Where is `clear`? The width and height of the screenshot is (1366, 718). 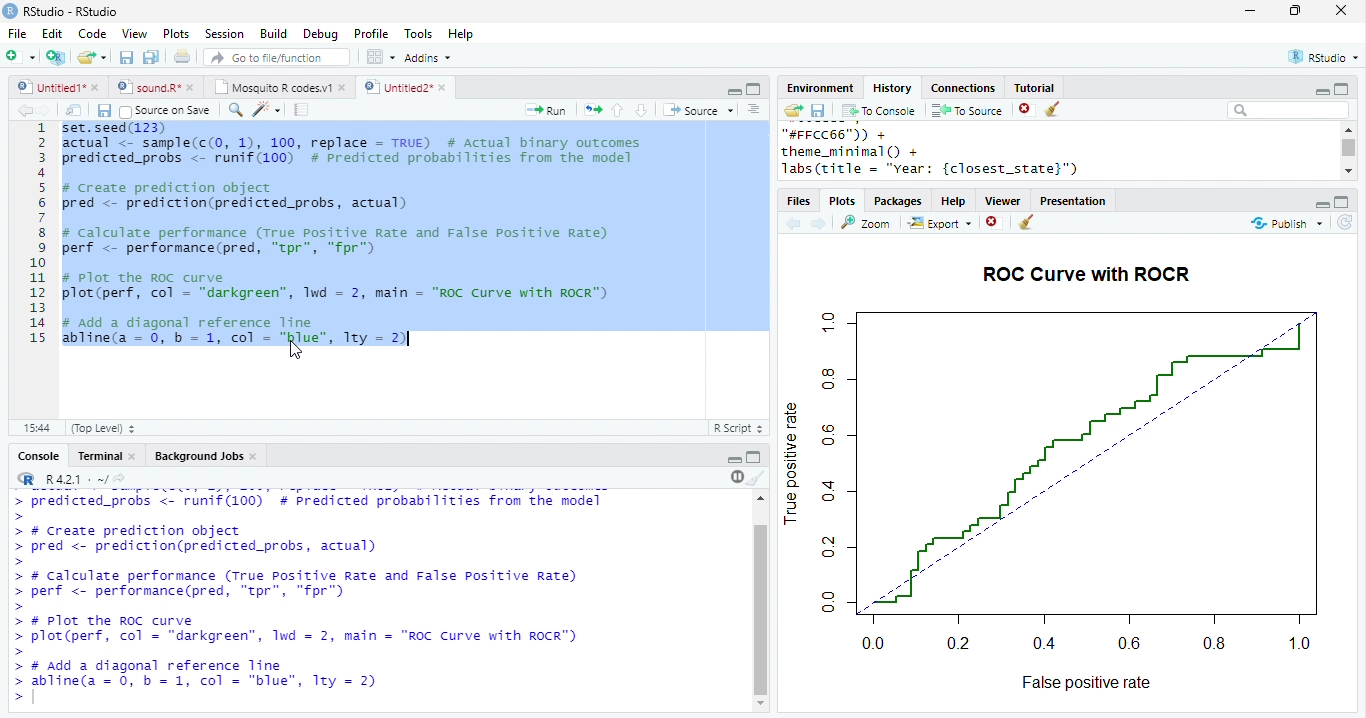 clear is located at coordinates (1026, 223).